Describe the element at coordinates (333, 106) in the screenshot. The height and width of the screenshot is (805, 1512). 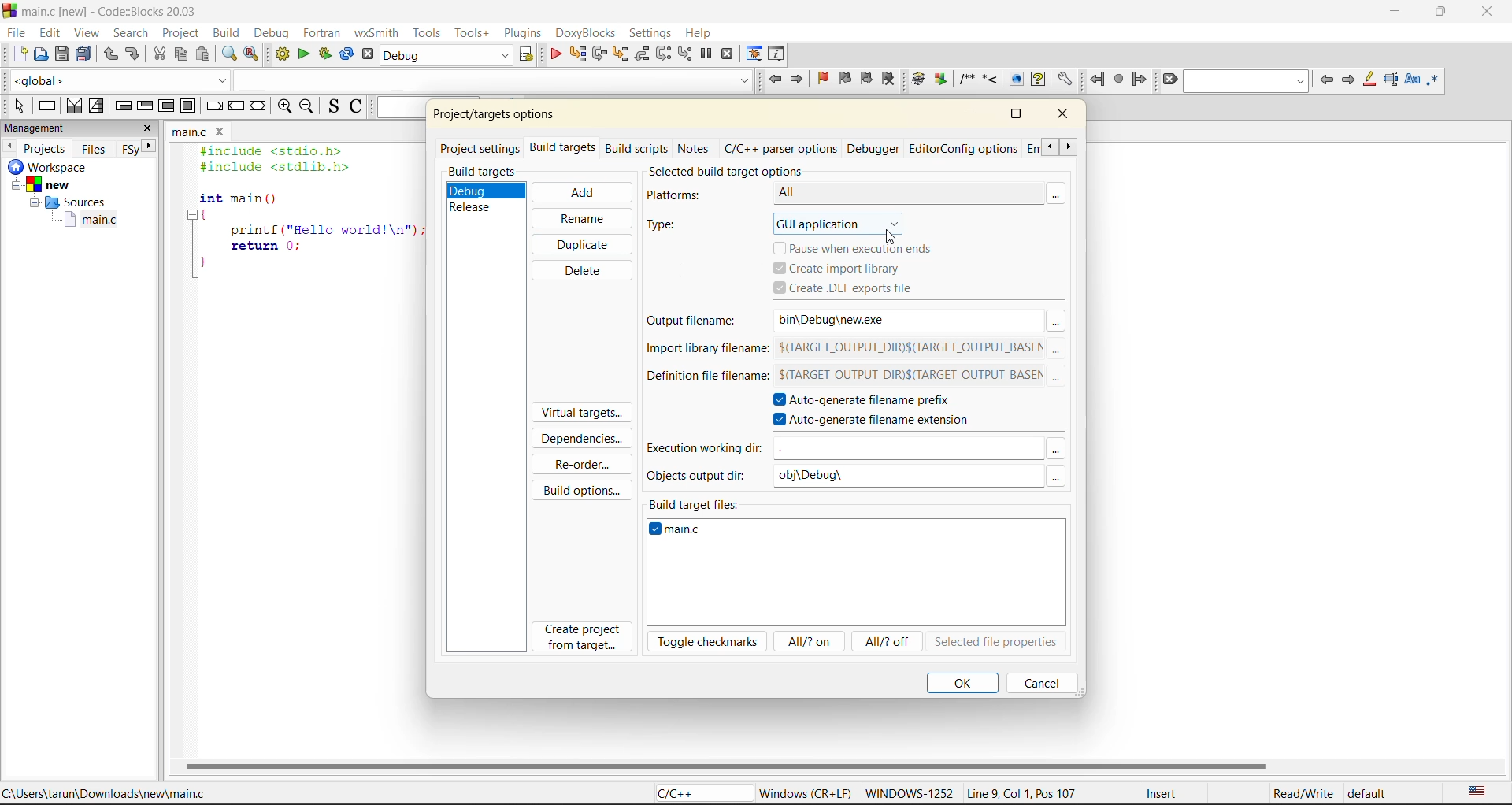
I see `toggle source` at that location.